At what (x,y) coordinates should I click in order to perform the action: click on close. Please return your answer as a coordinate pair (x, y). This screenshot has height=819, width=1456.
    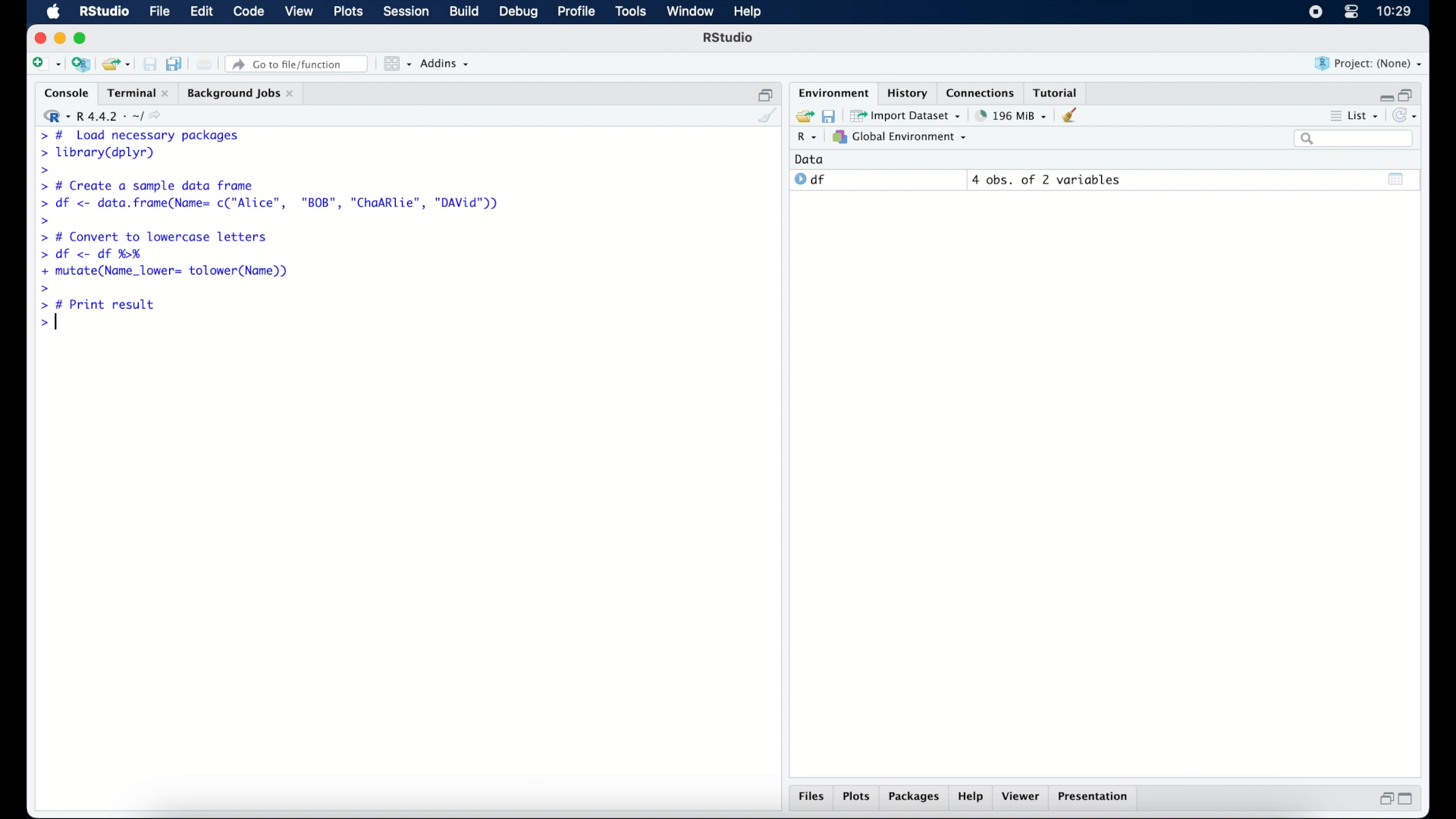
    Looking at the image, I should click on (40, 38).